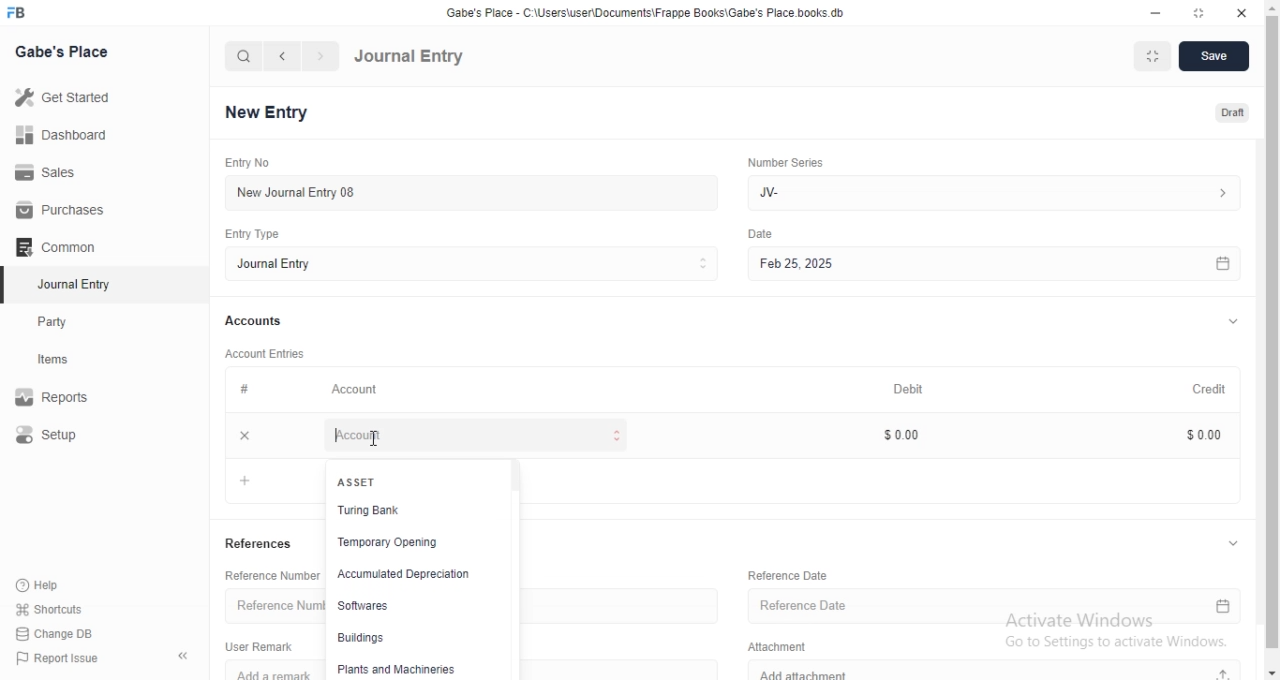 The width and height of the screenshot is (1280, 680). I want to click on Items, so click(72, 361).